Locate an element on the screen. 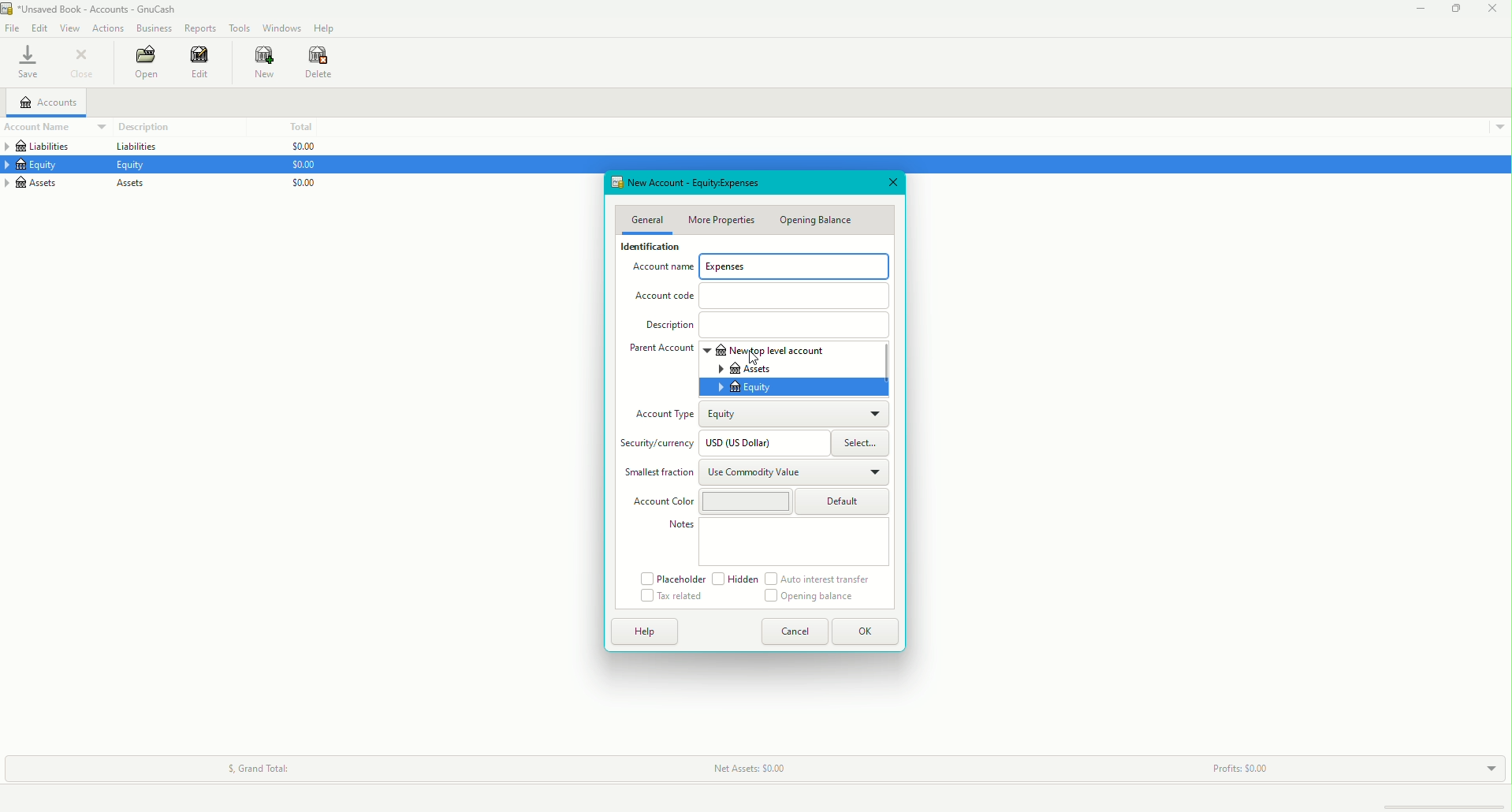  Save is located at coordinates (27, 63).